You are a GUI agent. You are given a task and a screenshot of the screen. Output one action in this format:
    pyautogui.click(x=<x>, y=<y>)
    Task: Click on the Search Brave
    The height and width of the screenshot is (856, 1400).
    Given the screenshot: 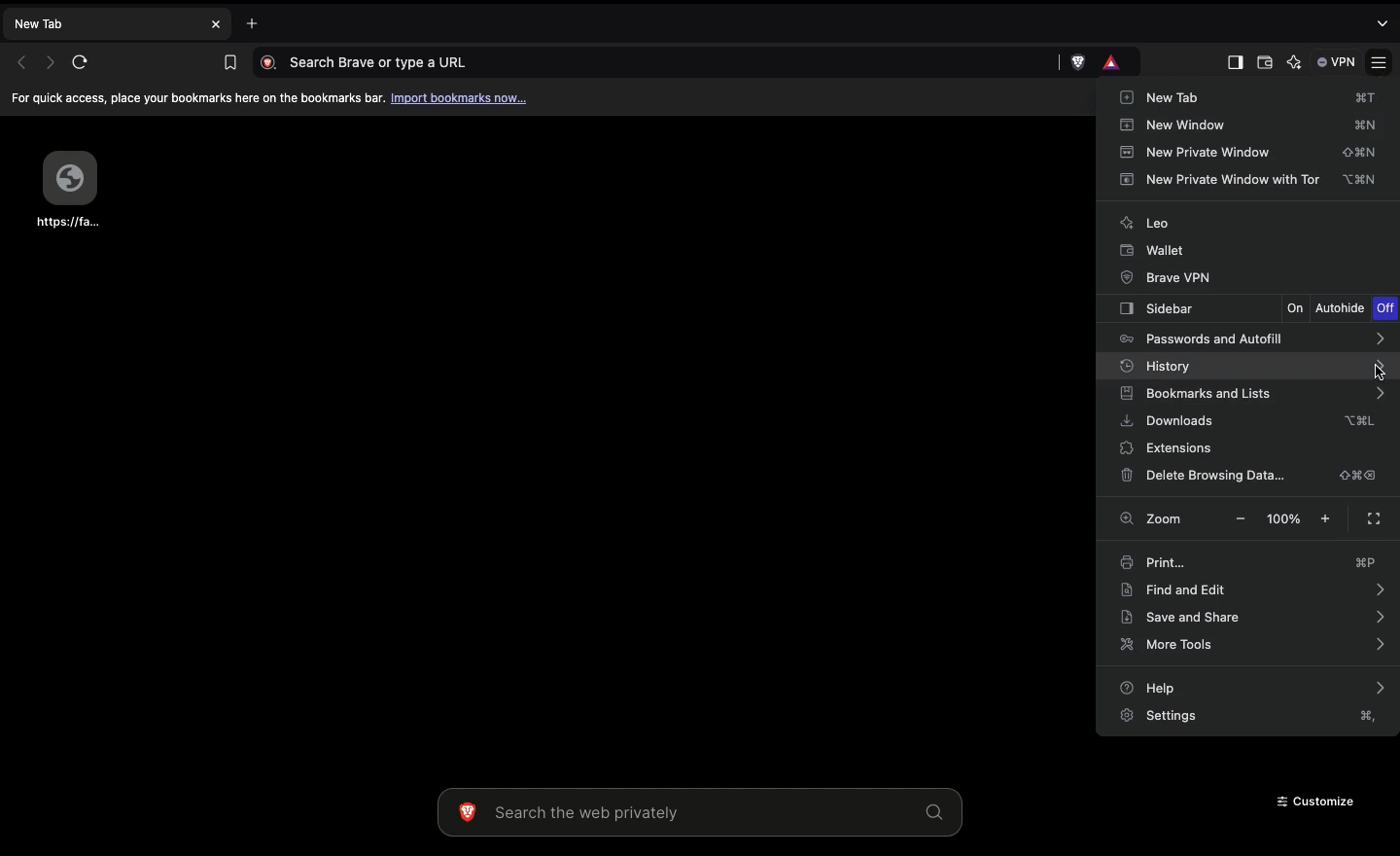 What is the action you would take?
    pyautogui.click(x=652, y=62)
    